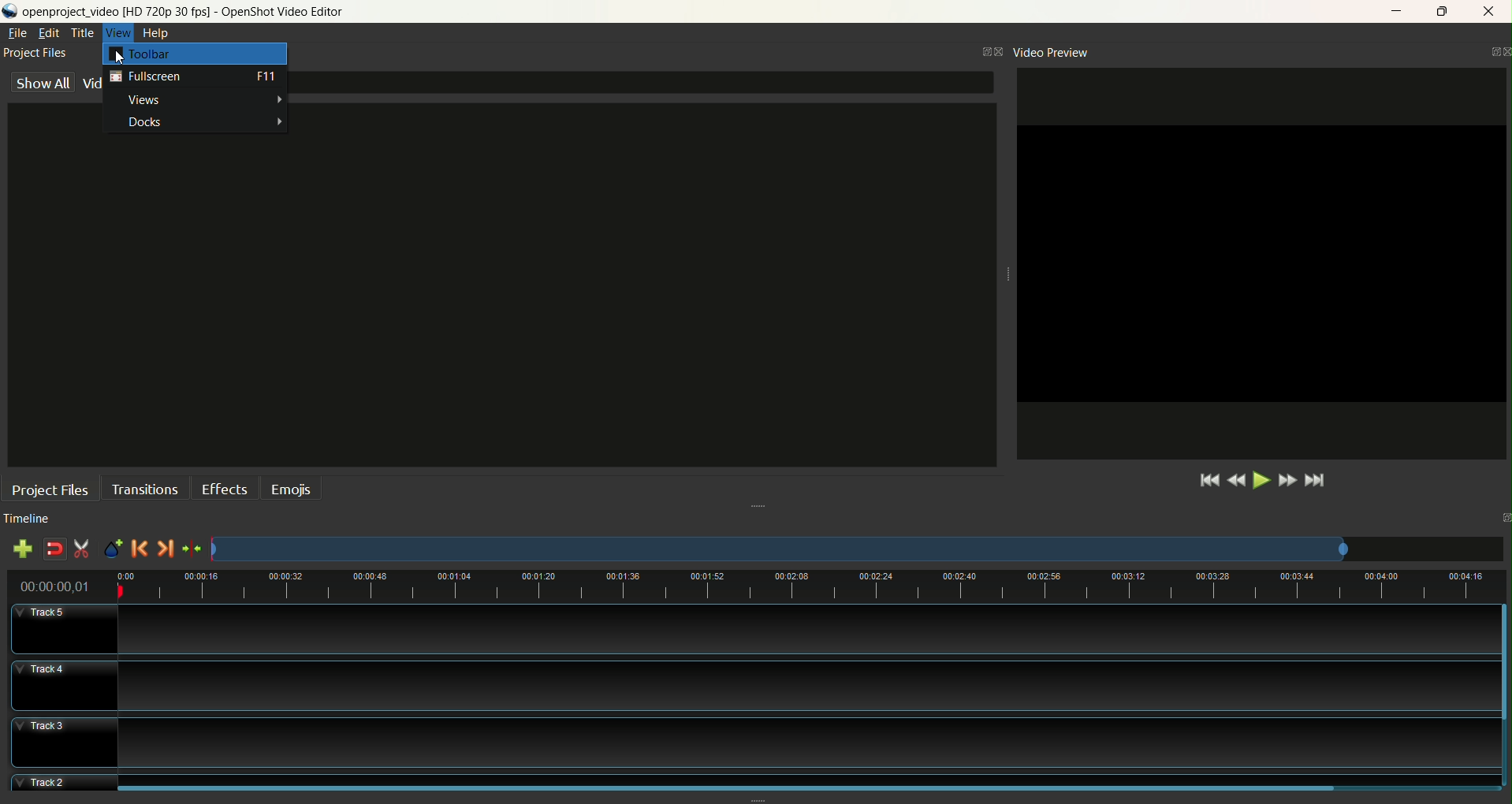 This screenshot has height=804, width=1512. I want to click on video preview, so click(1052, 52).